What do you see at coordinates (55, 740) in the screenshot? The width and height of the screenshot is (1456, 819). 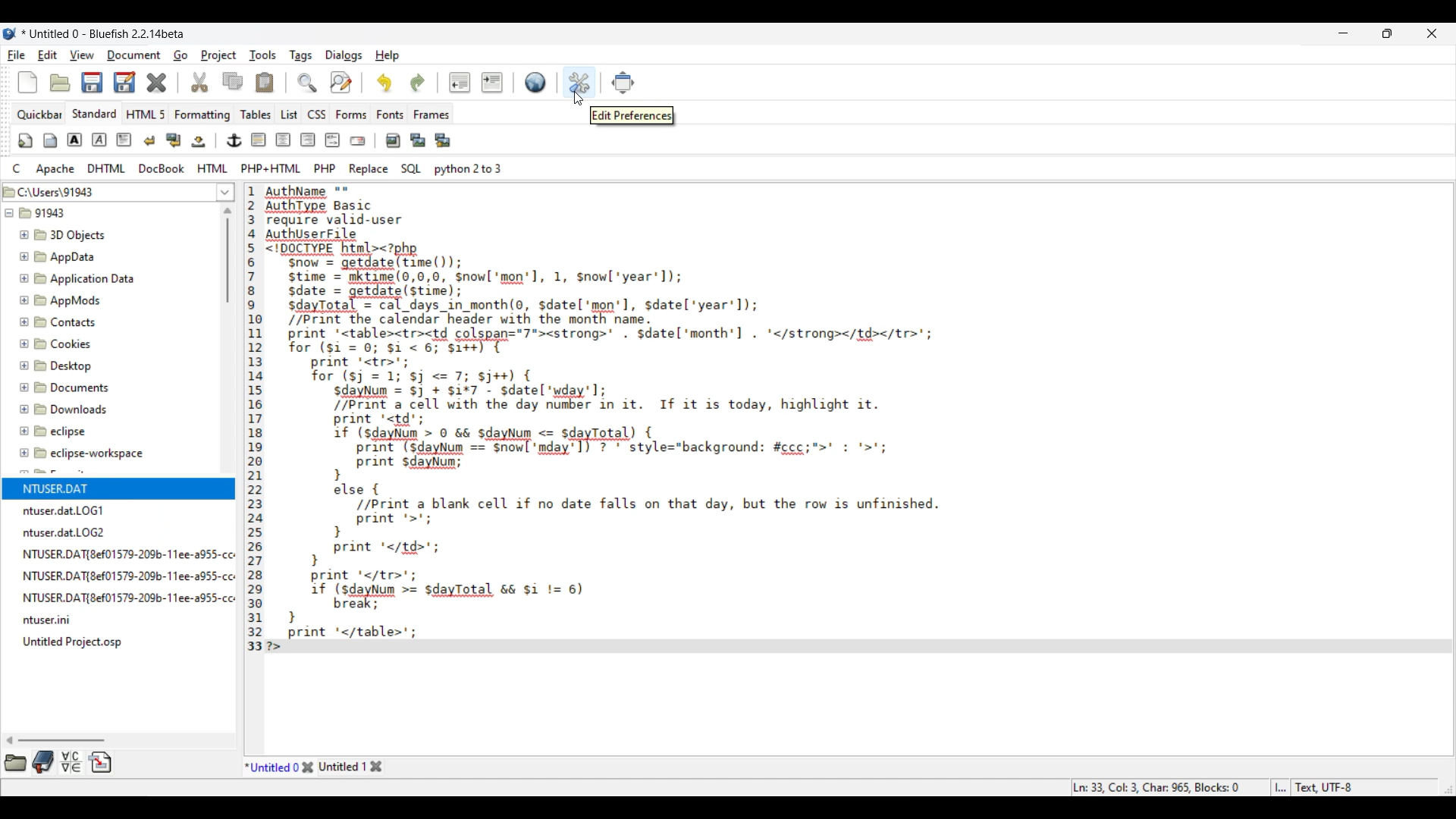 I see `Horizontal slide bar` at bounding box center [55, 740].